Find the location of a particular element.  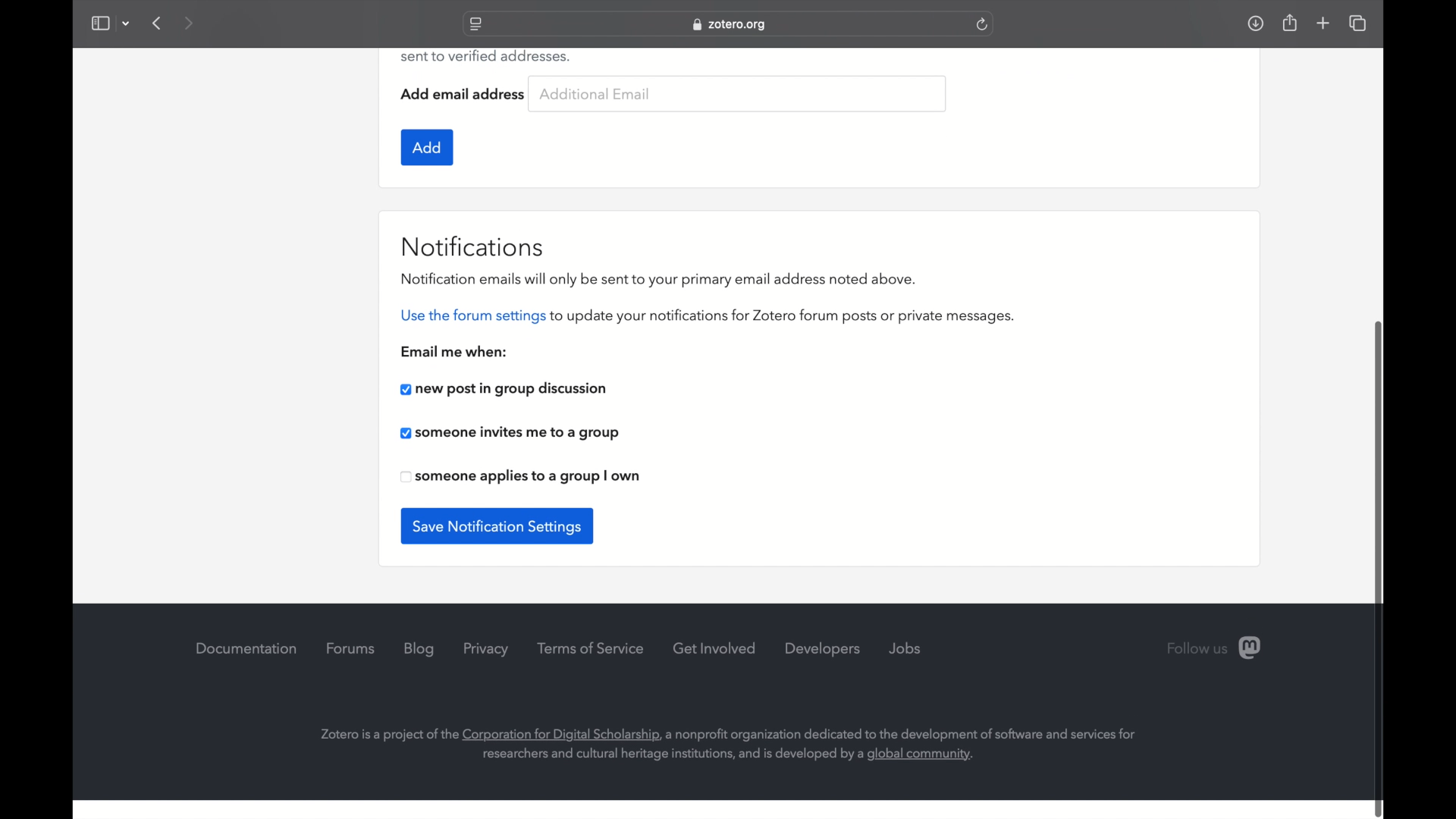

get involved is located at coordinates (715, 648).